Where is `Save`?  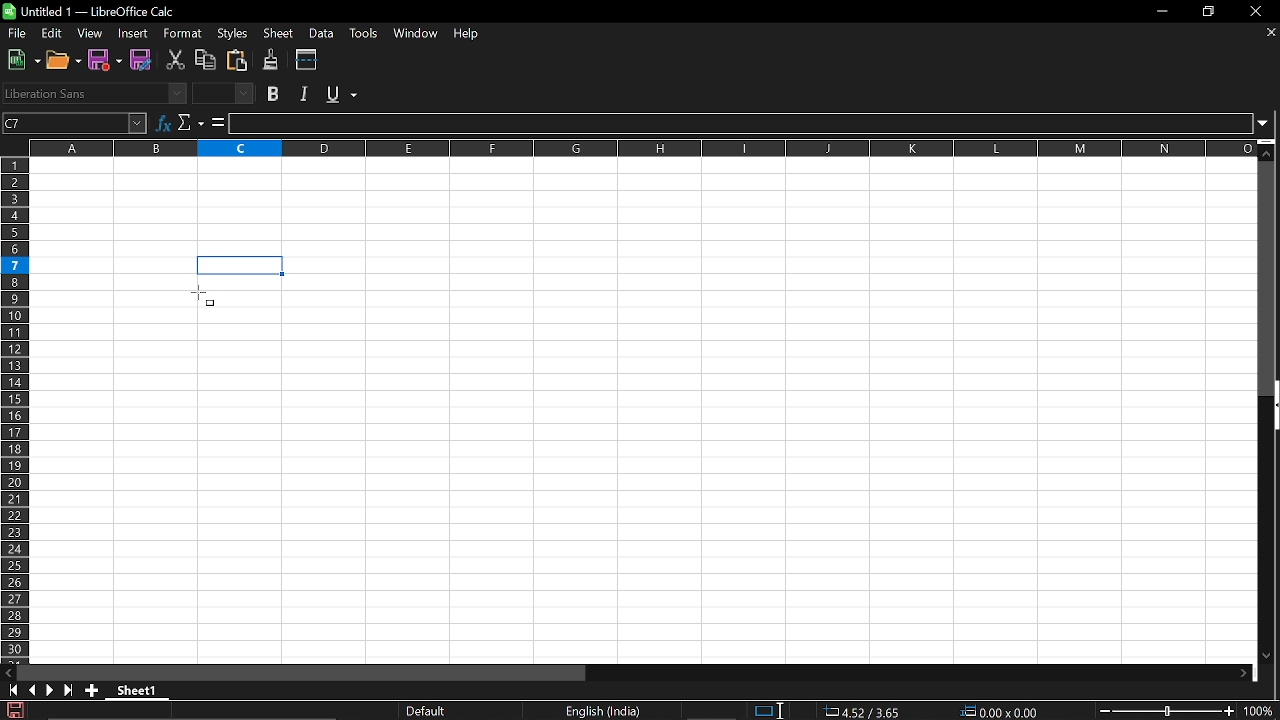
Save is located at coordinates (13, 710).